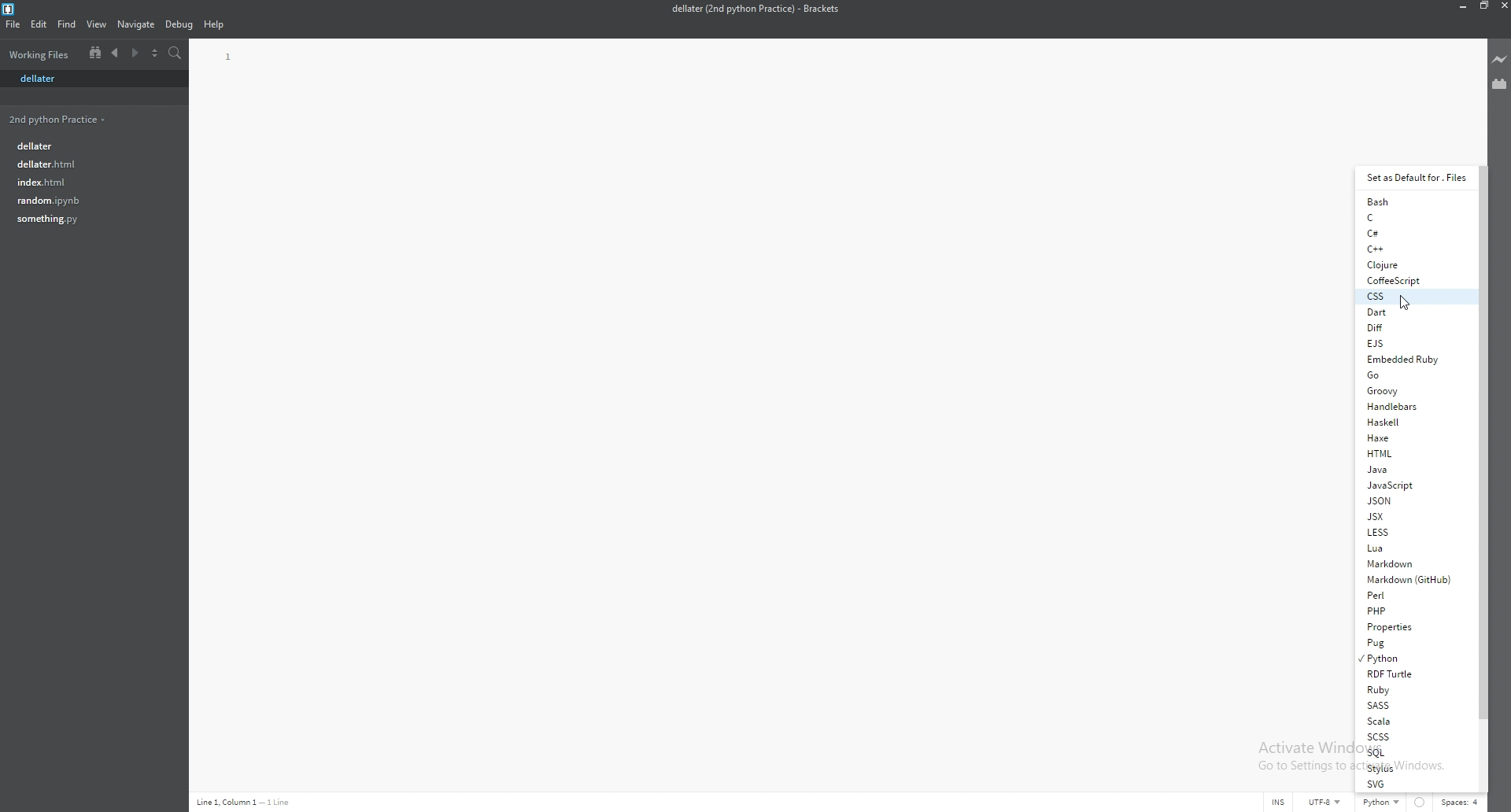  What do you see at coordinates (1414, 485) in the screenshot?
I see `javascript` at bounding box center [1414, 485].